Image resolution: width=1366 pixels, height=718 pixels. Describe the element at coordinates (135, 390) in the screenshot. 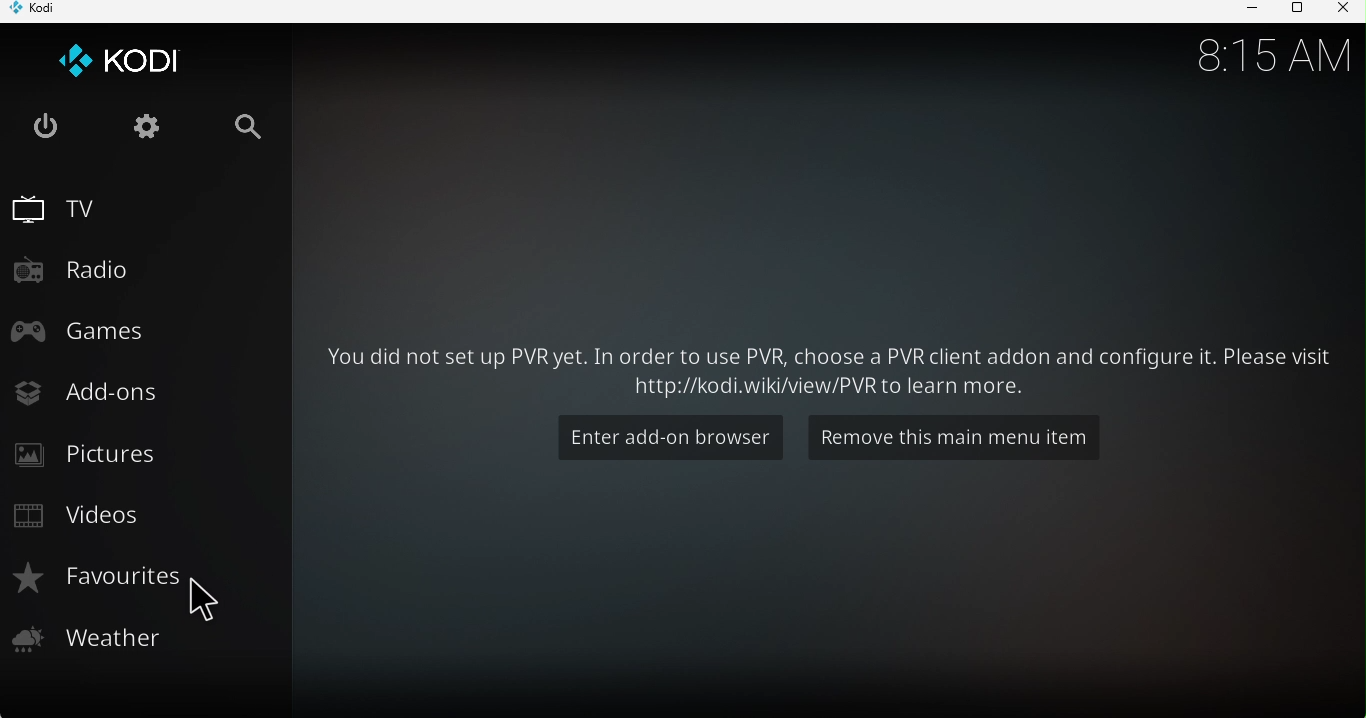

I see `Add-ons` at that location.